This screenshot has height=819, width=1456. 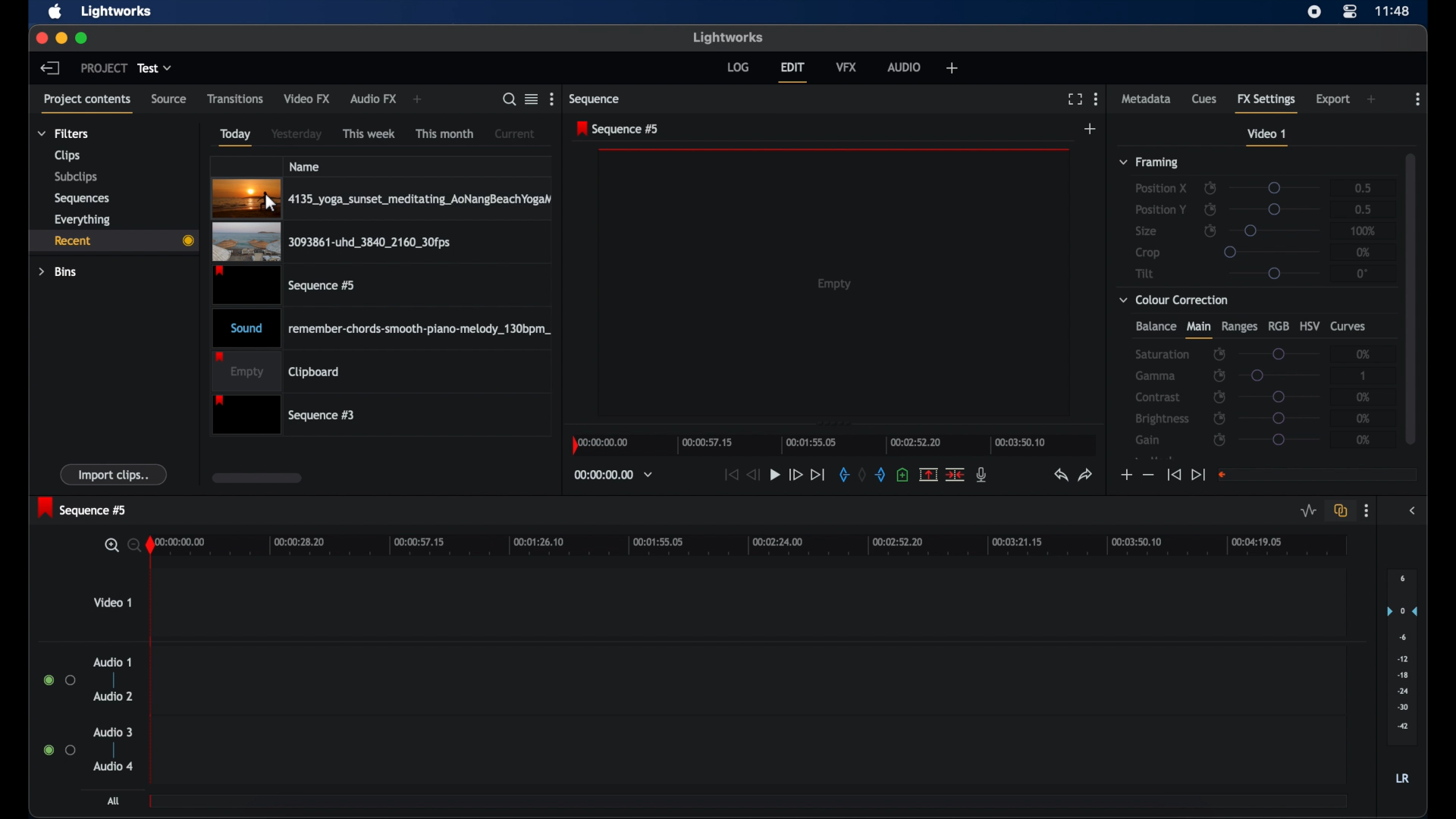 What do you see at coordinates (1145, 274) in the screenshot?
I see `tilt` at bounding box center [1145, 274].